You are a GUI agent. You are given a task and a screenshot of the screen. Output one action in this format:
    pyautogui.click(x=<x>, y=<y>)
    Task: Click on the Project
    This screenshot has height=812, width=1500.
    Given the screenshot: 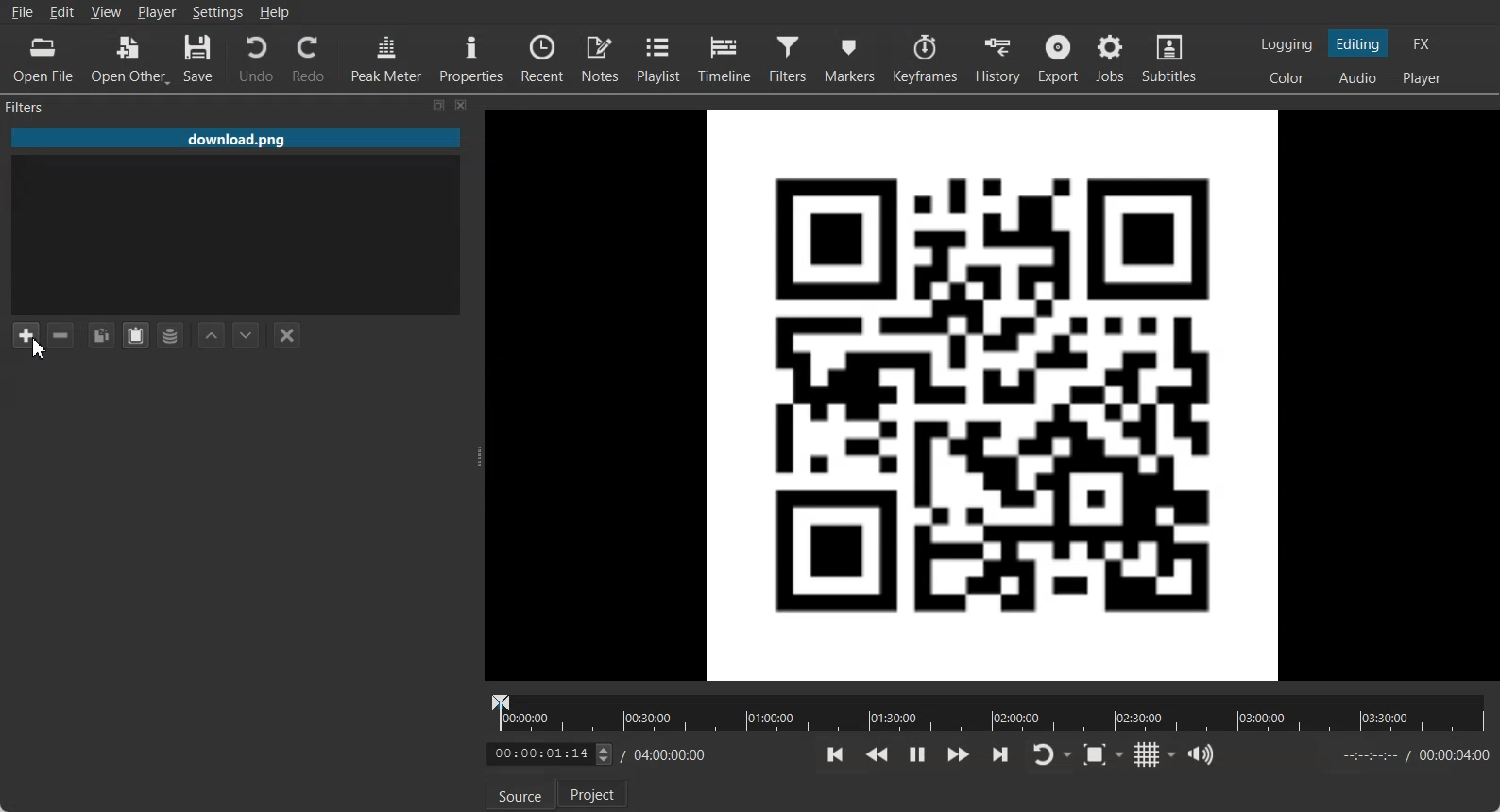 What is the action you would take?
    pyautogui.click(x=594, y=793)
    